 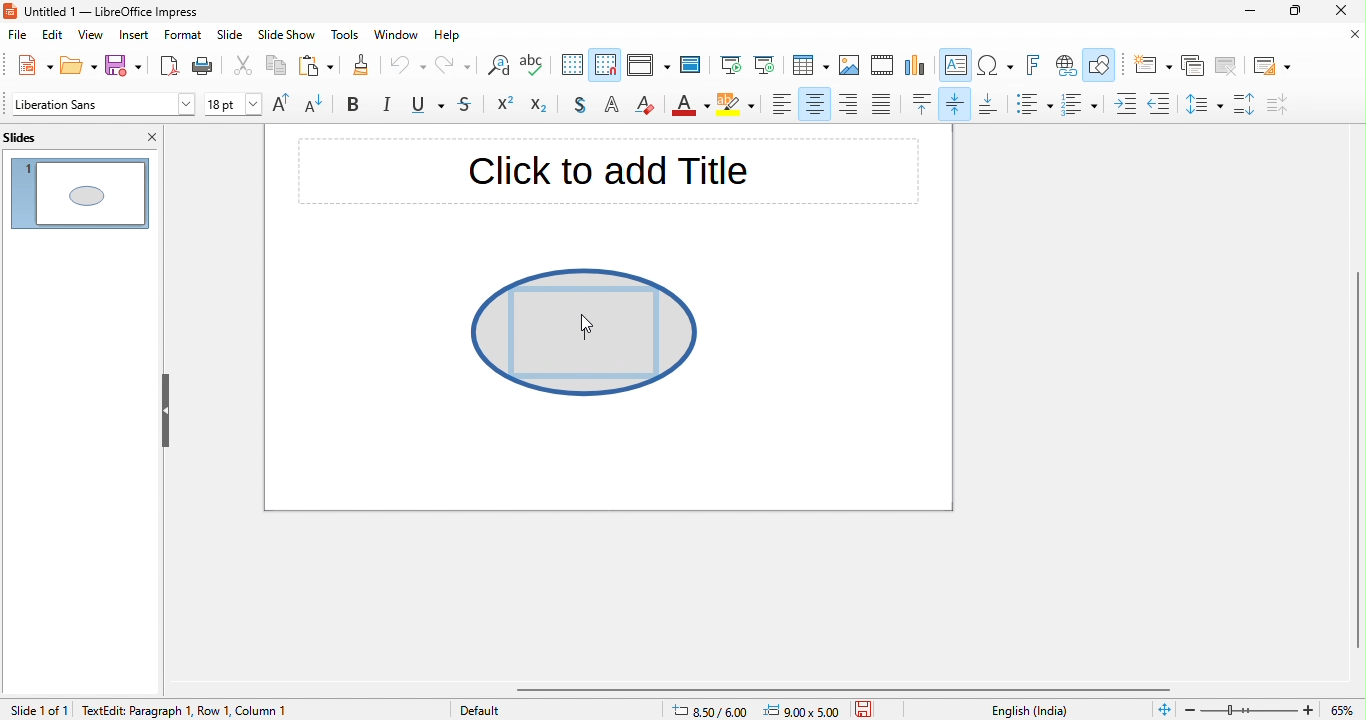 I want to click on duplicate slide, so click(x=1193, y=66).